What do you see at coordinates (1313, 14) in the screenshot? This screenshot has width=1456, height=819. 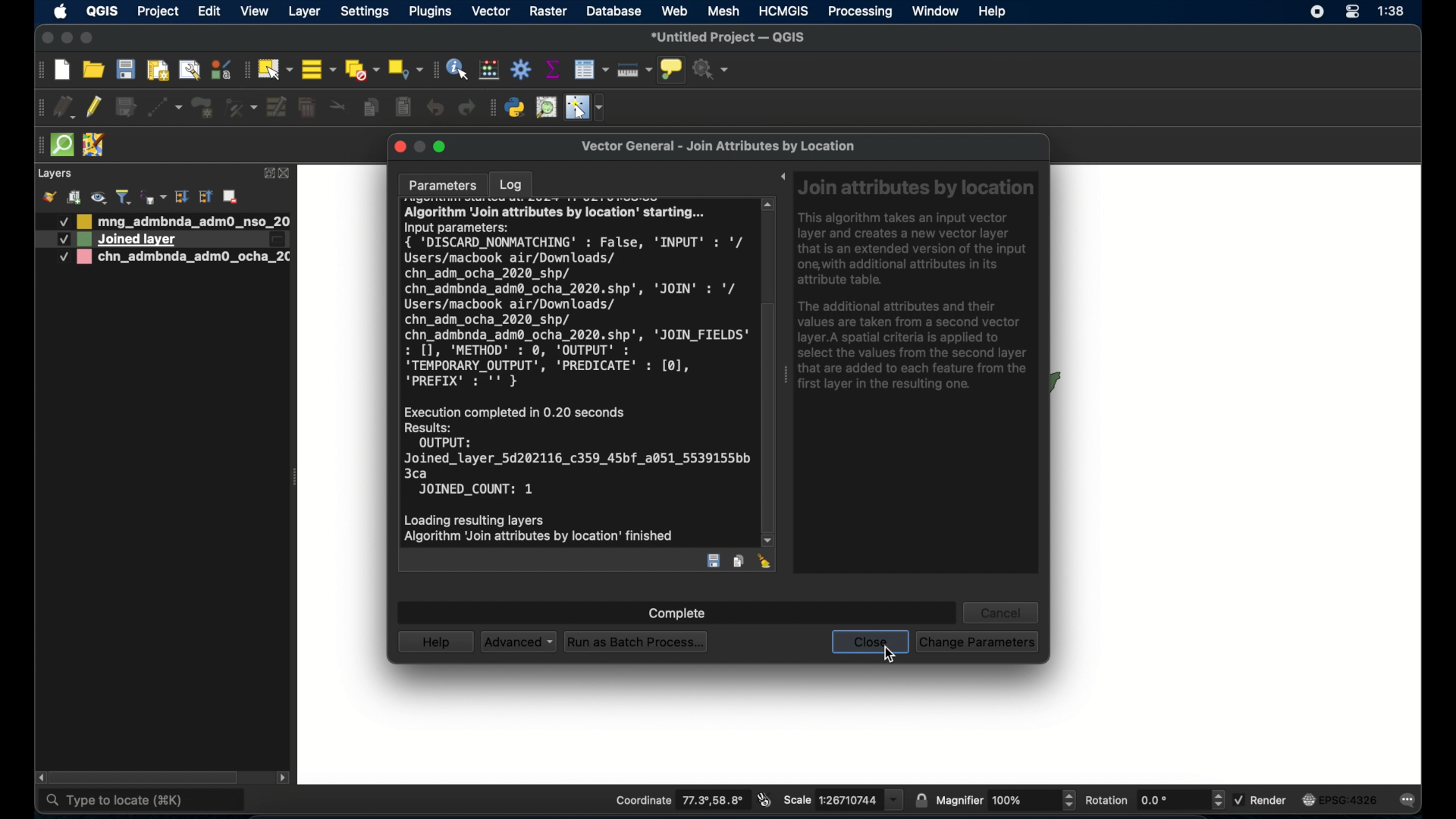 I see `control center` at bounding box center [1313, 14].